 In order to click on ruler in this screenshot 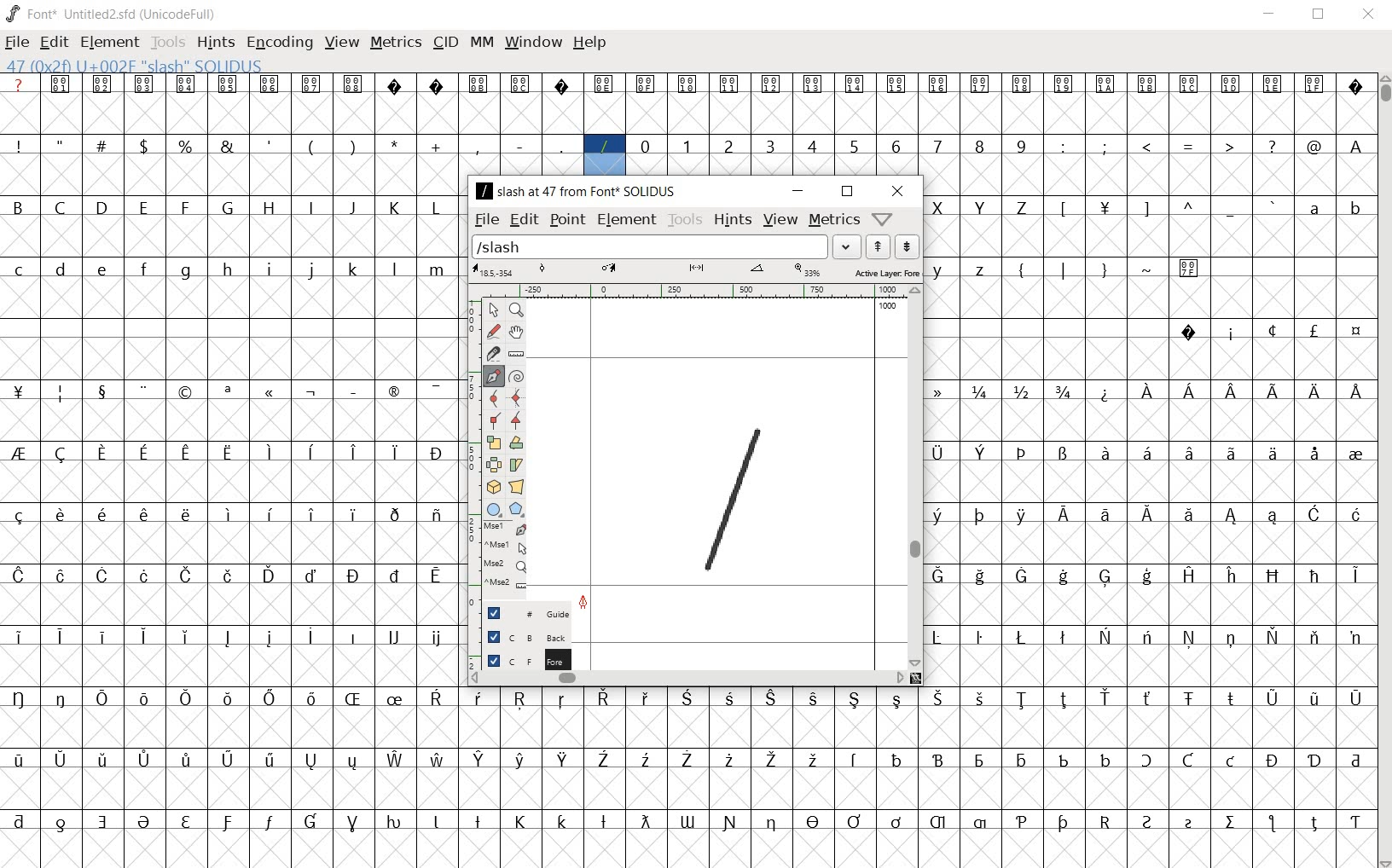, I will do `click(687, 290)`.